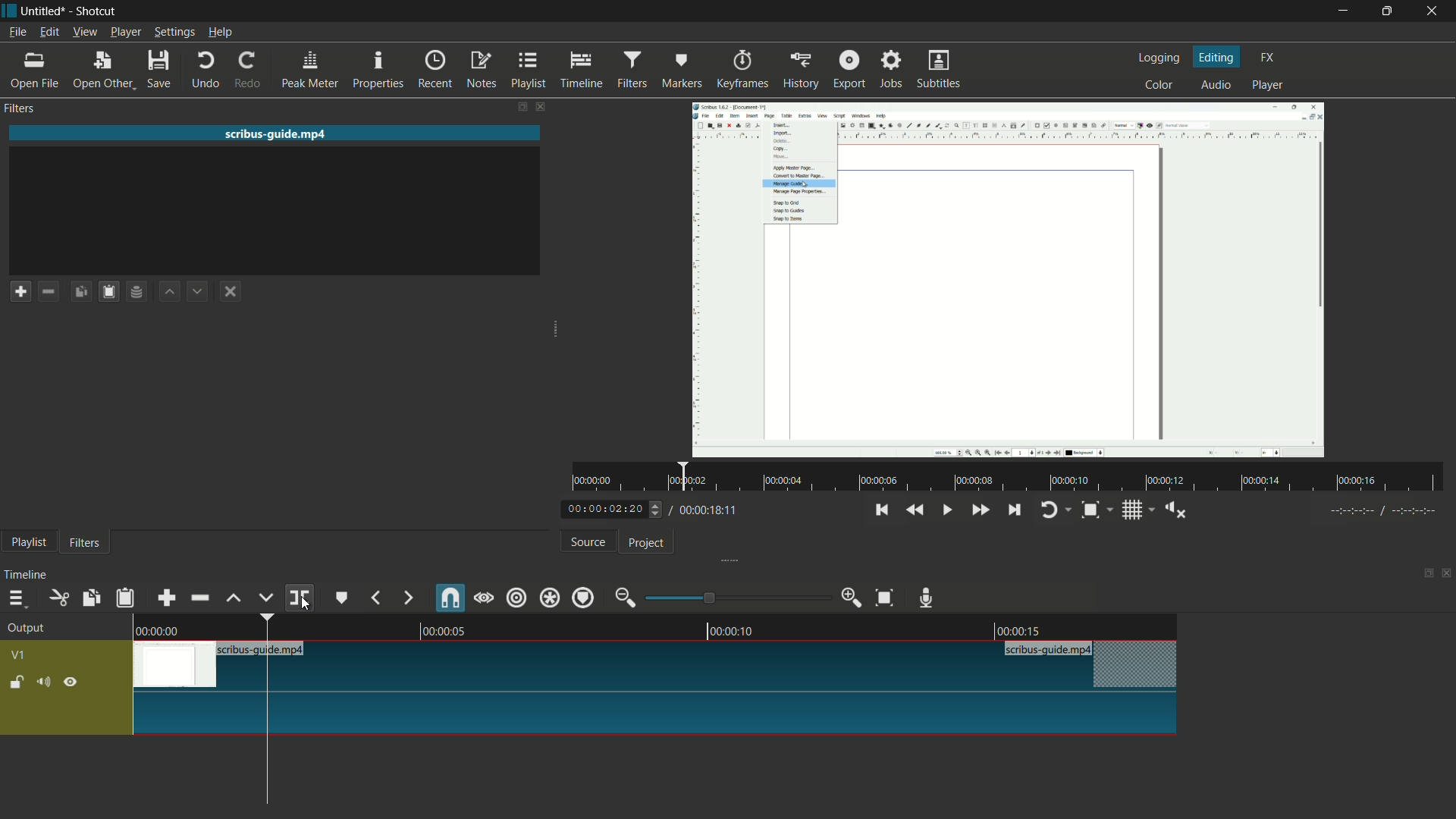 The width and height of the screenshot is (1456, 819). I want to click on show volume control, so click(1175, 510).